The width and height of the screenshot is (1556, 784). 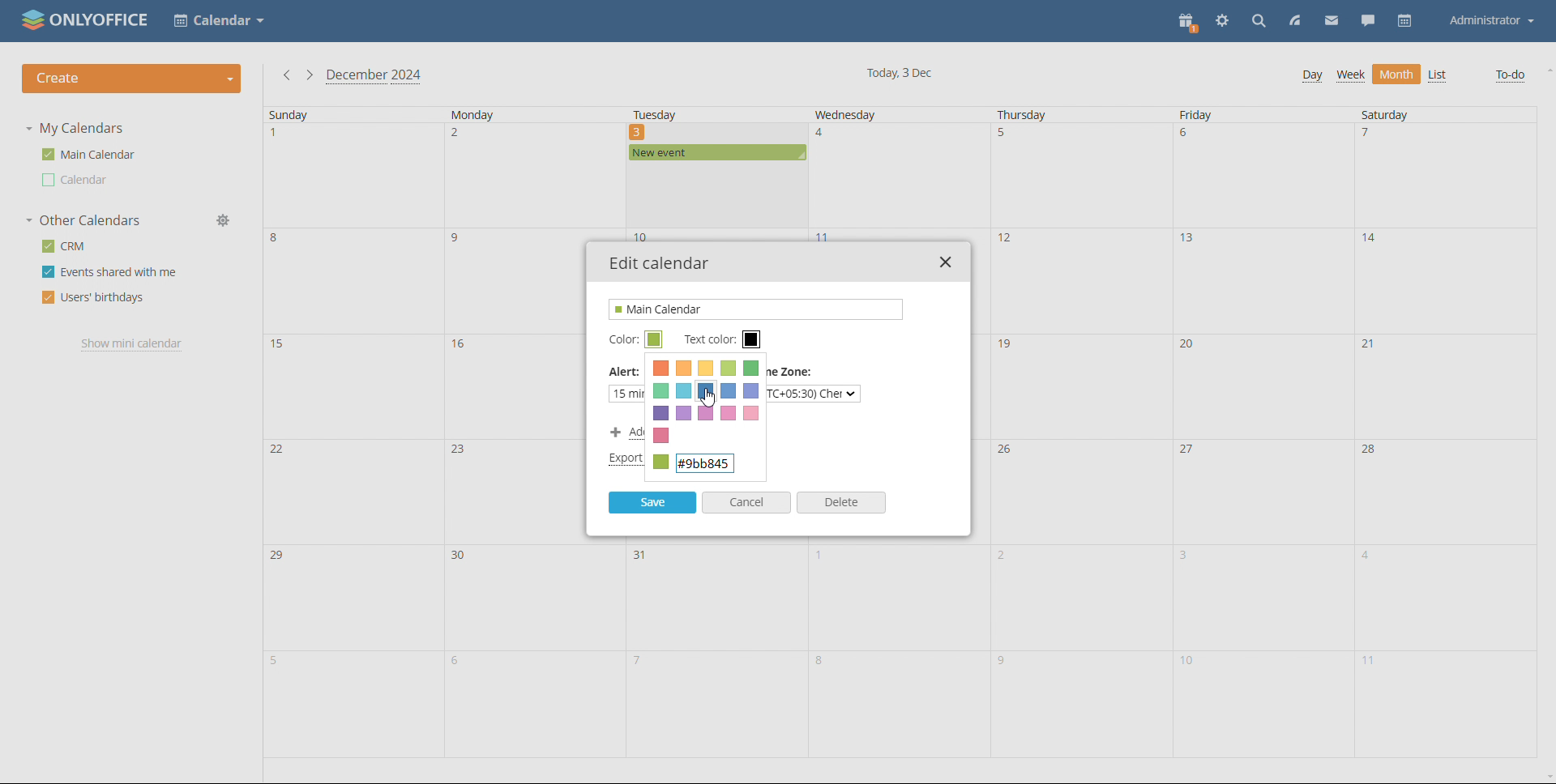 What do you see at coordinates (706, 389) in the screenshot?
I see `color options` at bounding box center [706, 389].